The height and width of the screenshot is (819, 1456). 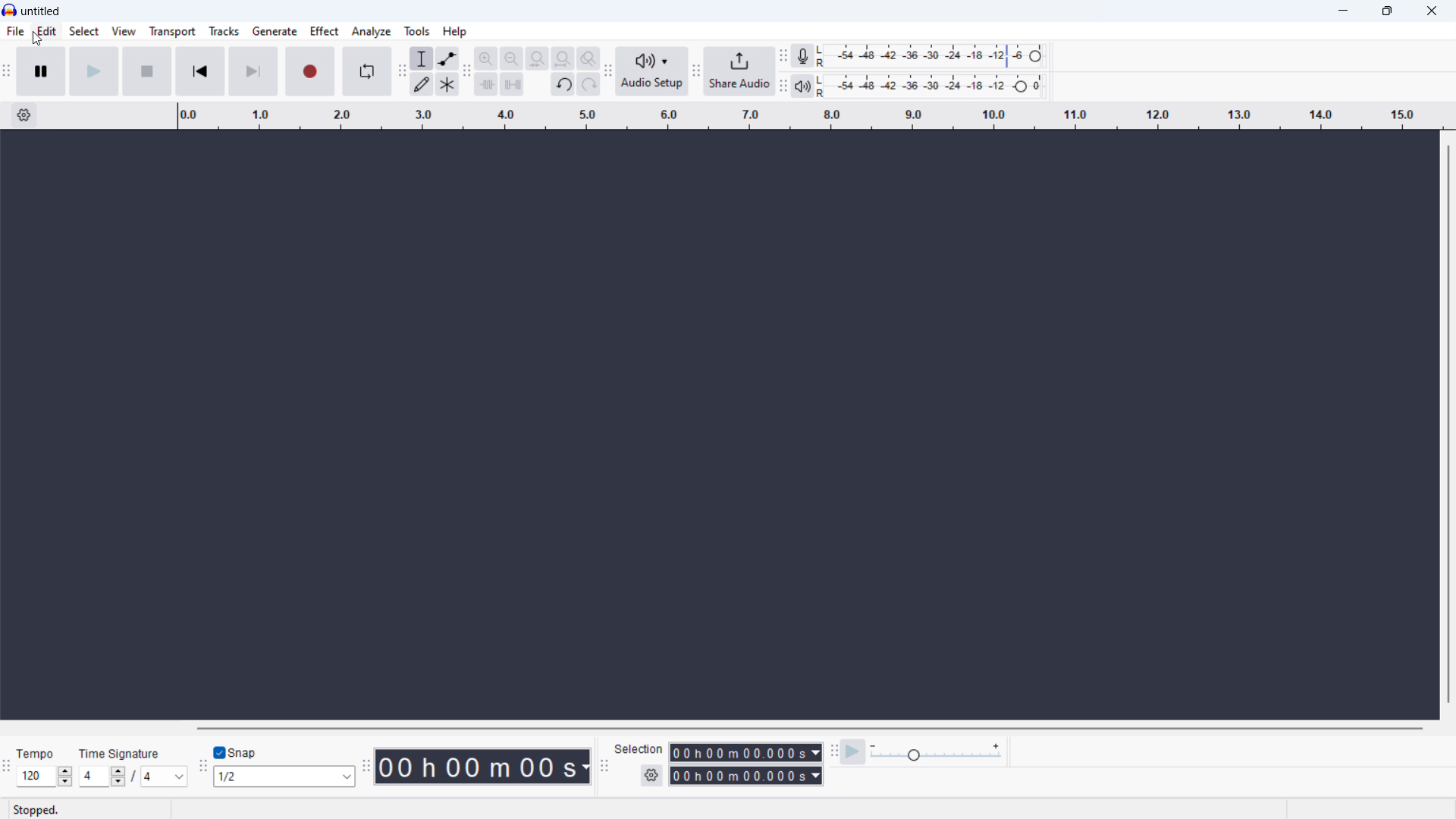 I want to click on end time, so click(x=745, y=777).